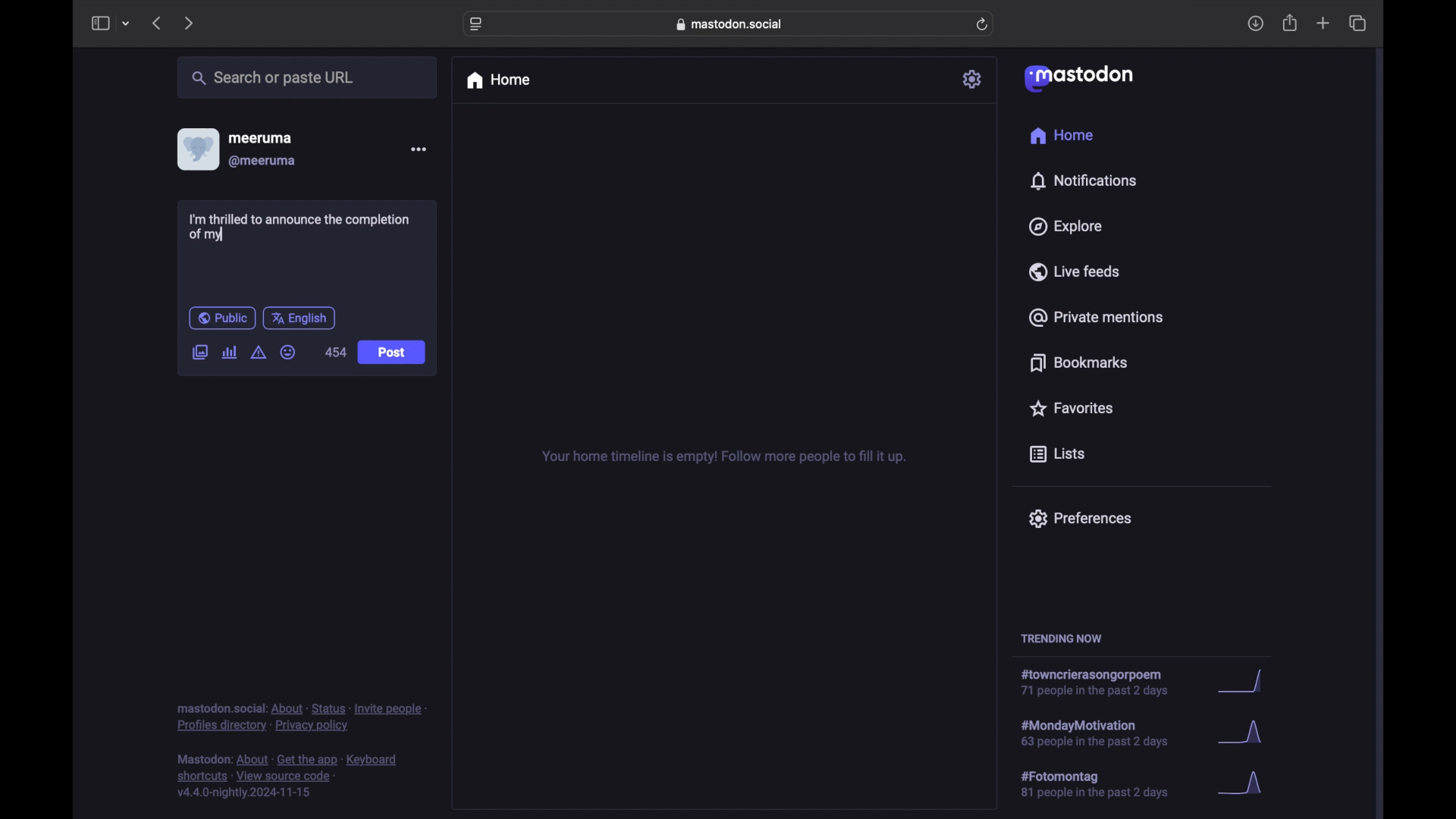 This screenshot has width=1456, height=819. I want to click on I'm thrilled to announce the completion of my, so click(303, 227).